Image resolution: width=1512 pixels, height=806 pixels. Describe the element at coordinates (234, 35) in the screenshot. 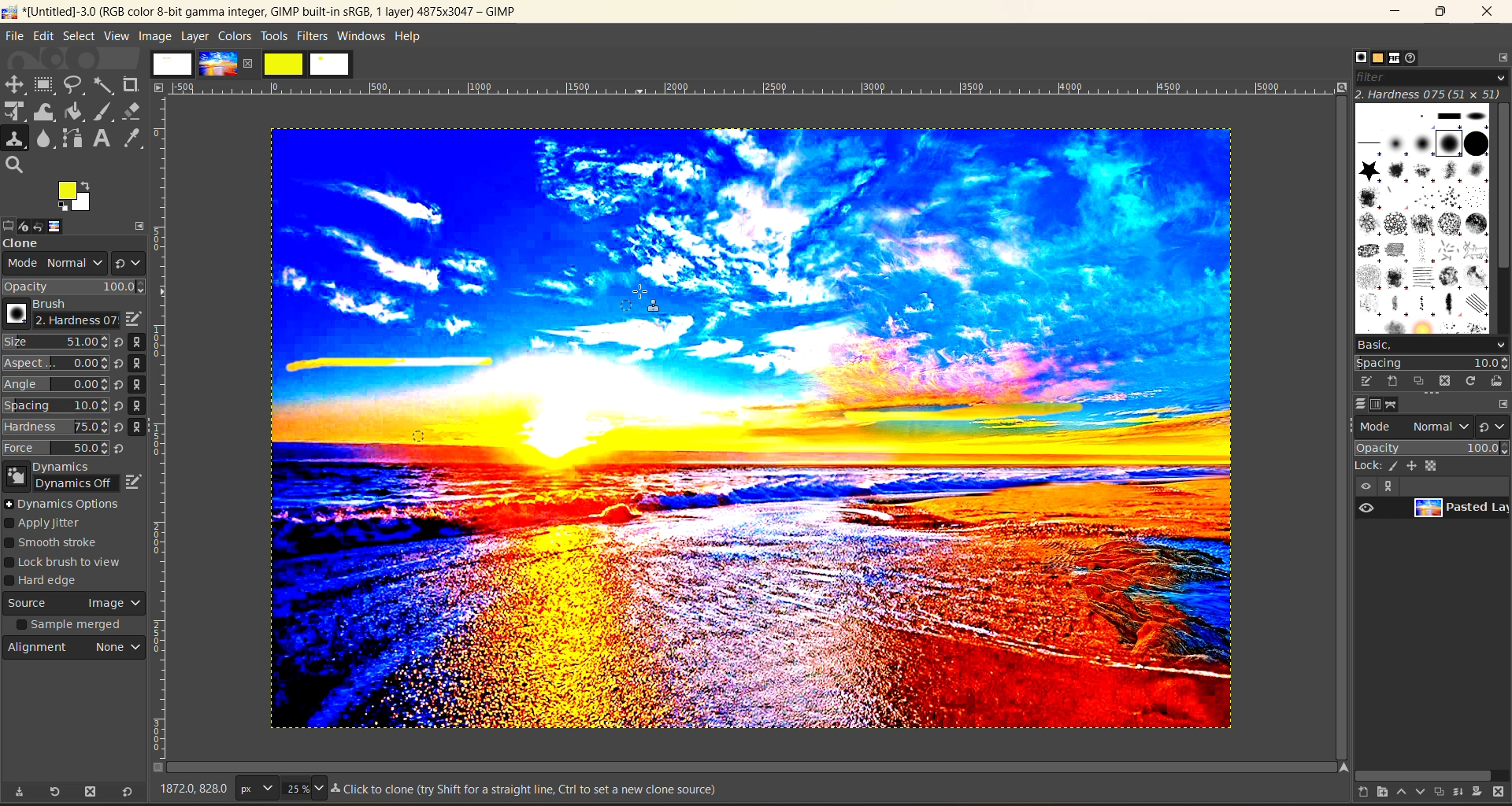

I see `colors` at that location.